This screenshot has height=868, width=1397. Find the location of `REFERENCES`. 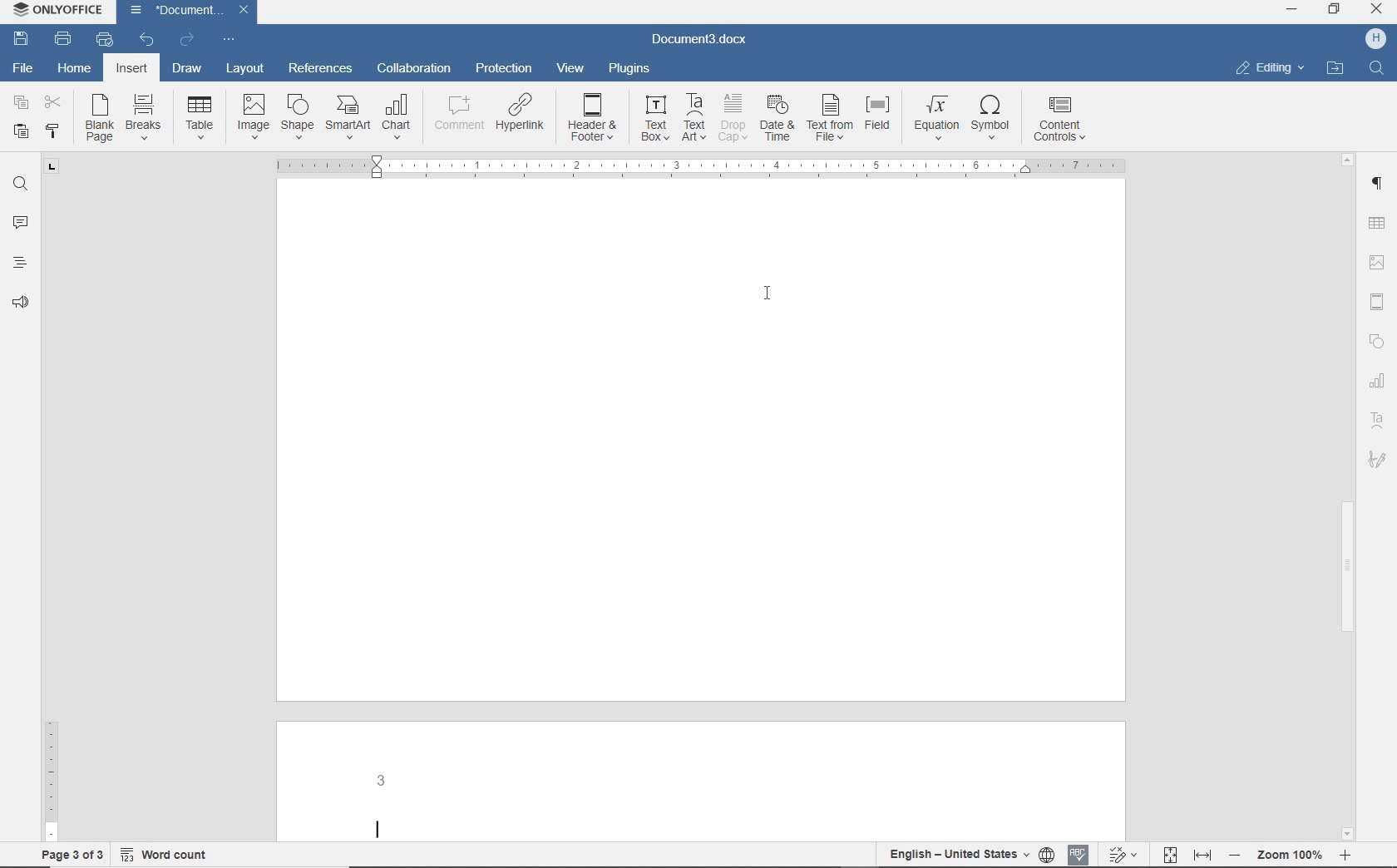

REFERENCES is located at coordinates (320, 69).